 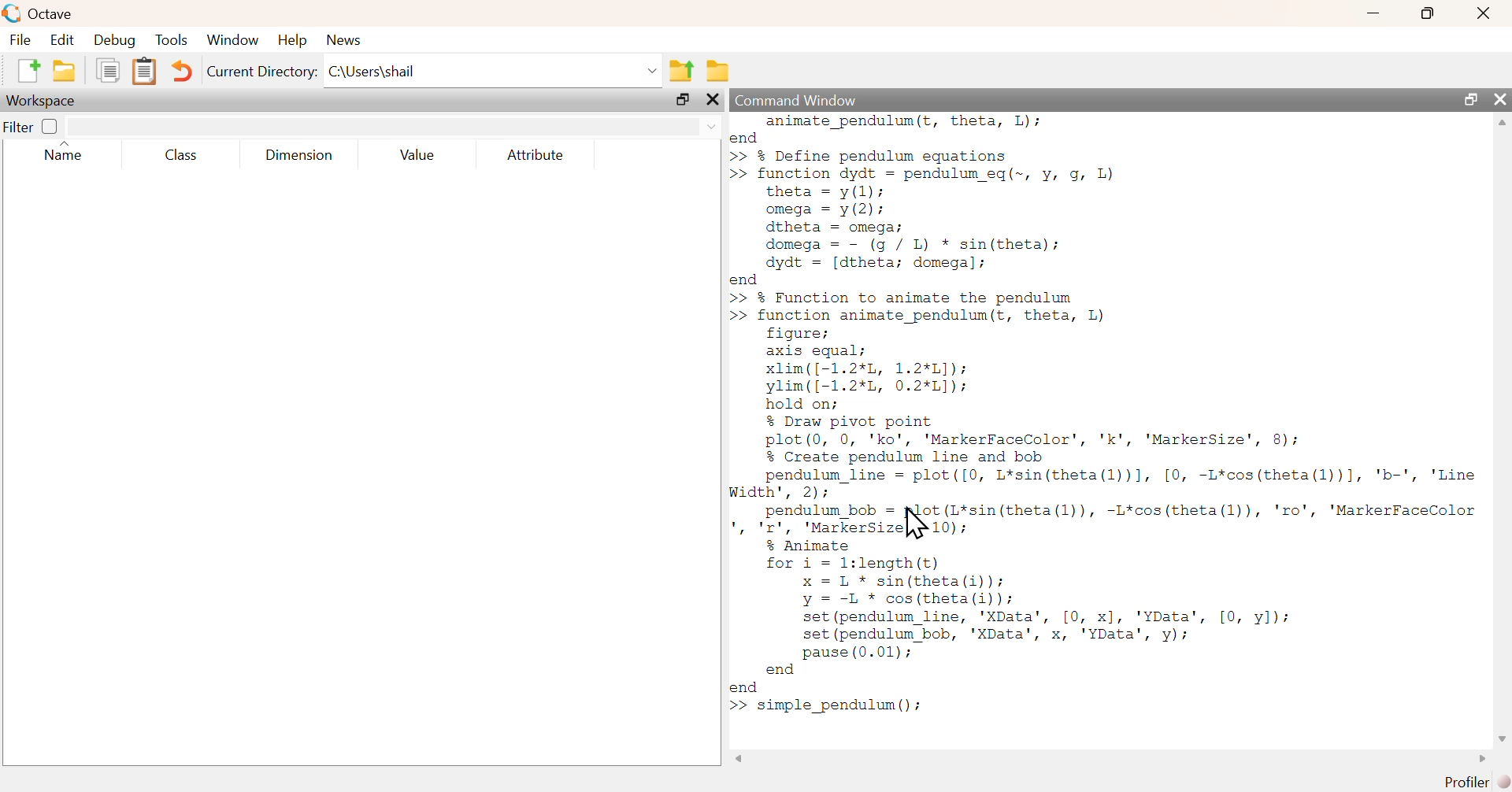 What do you see at coordinates (710, 125) in the screenshot?
I see `drop down` at bounding box center [710, 125].